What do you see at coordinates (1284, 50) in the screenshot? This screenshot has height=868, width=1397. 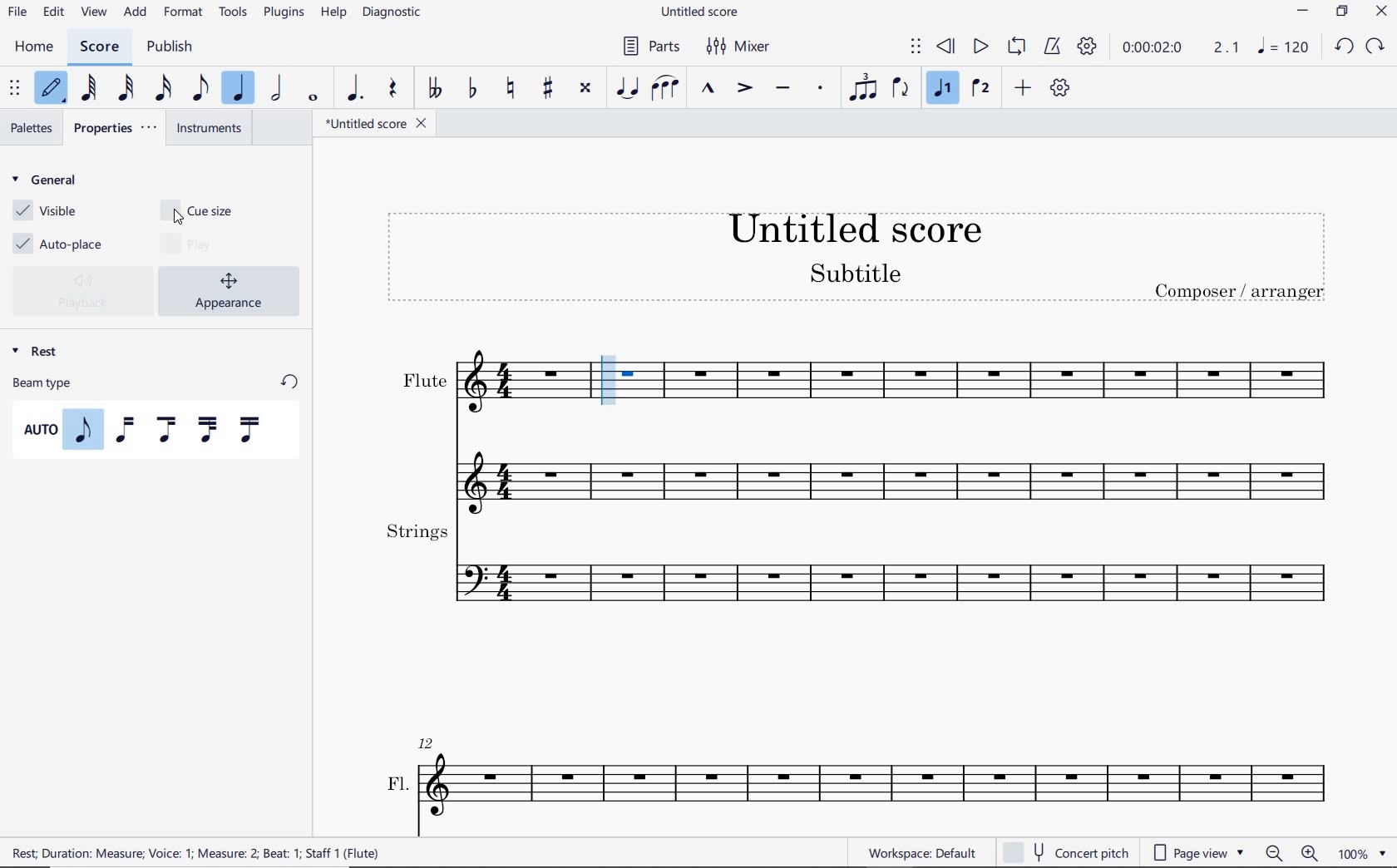 I see `note` at bounding box center [1284, 50].